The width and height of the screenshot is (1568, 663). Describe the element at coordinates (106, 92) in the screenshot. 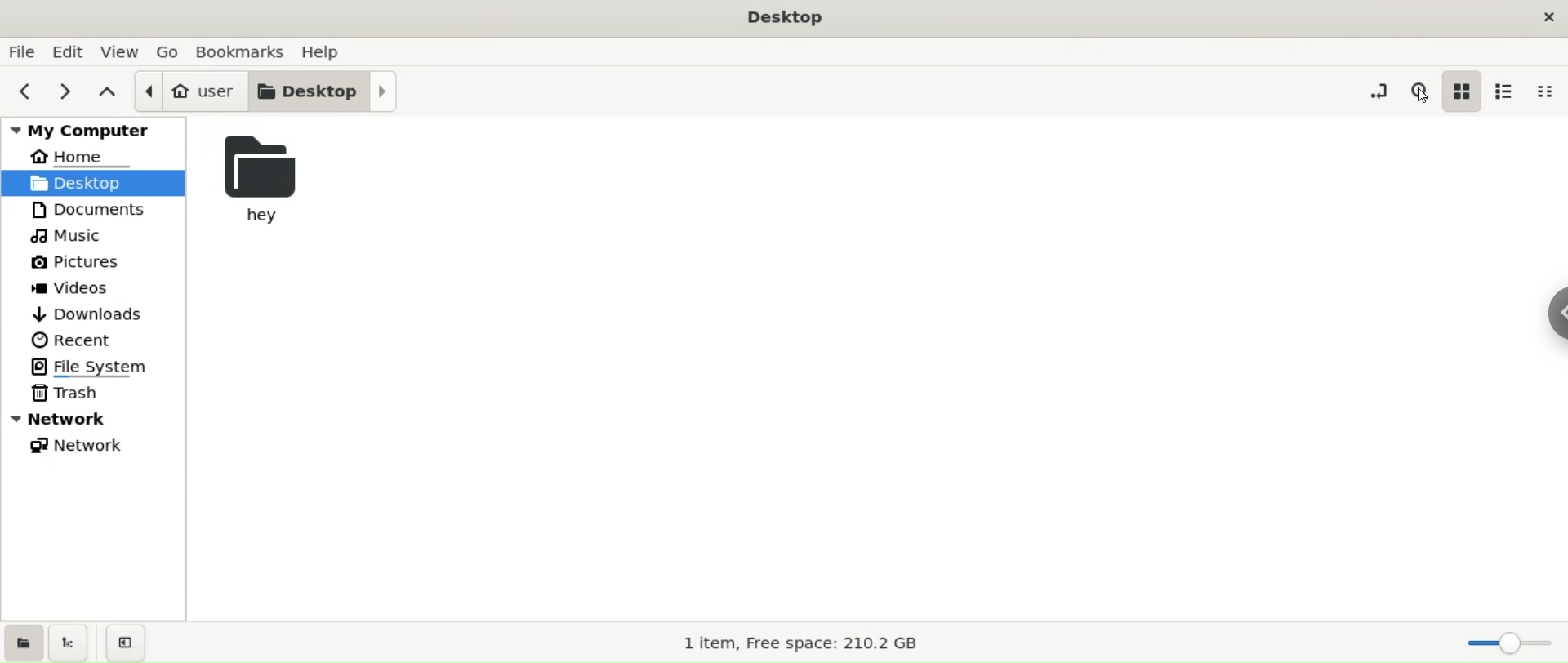

I see `paren folder` at that location.